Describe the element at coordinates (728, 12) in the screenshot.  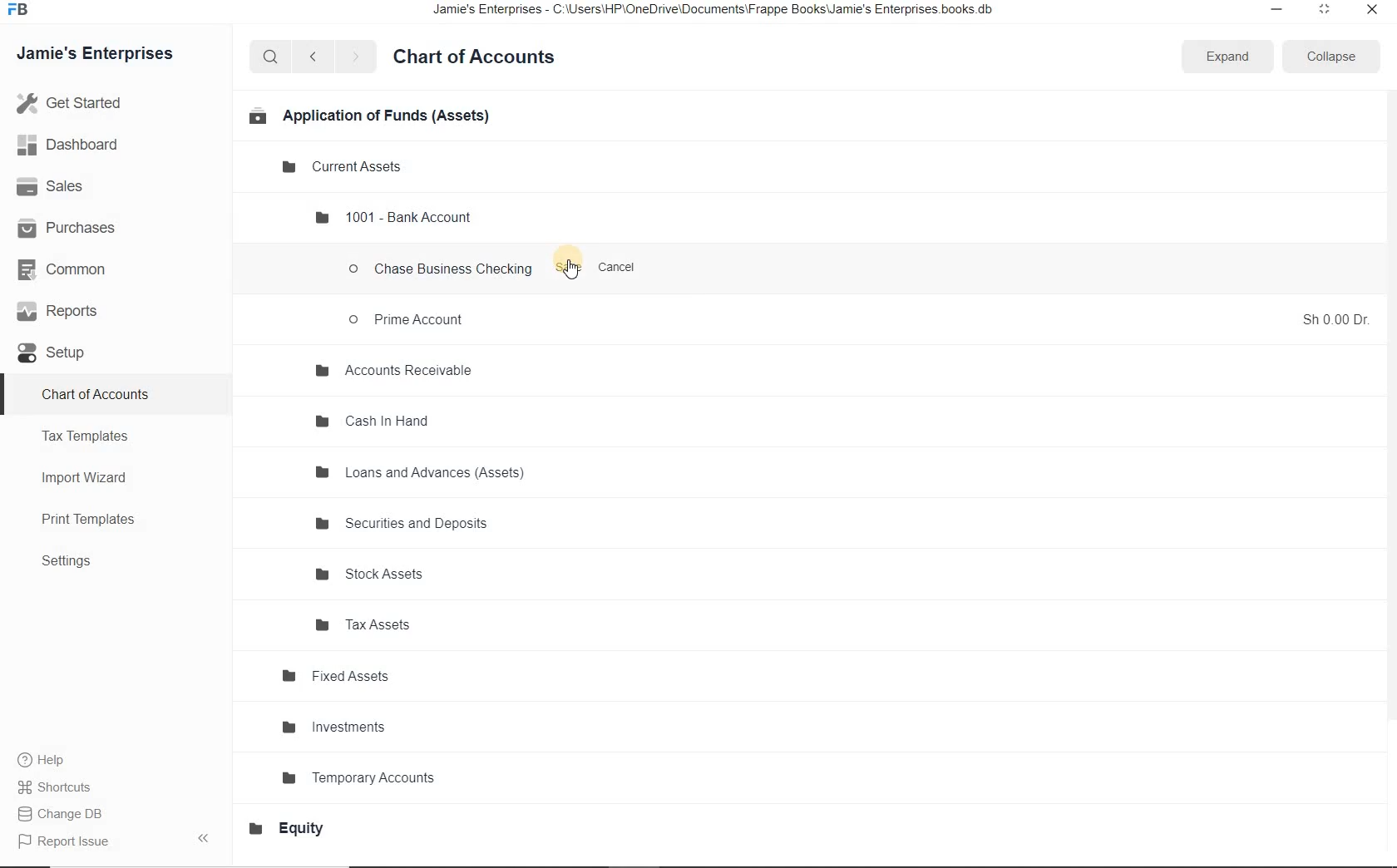
I see `Jamie's Enterprises - C:\Users\HP\OneDrive\Documents\Frappe Books\Jamie's Enterprises books.db` at that location.